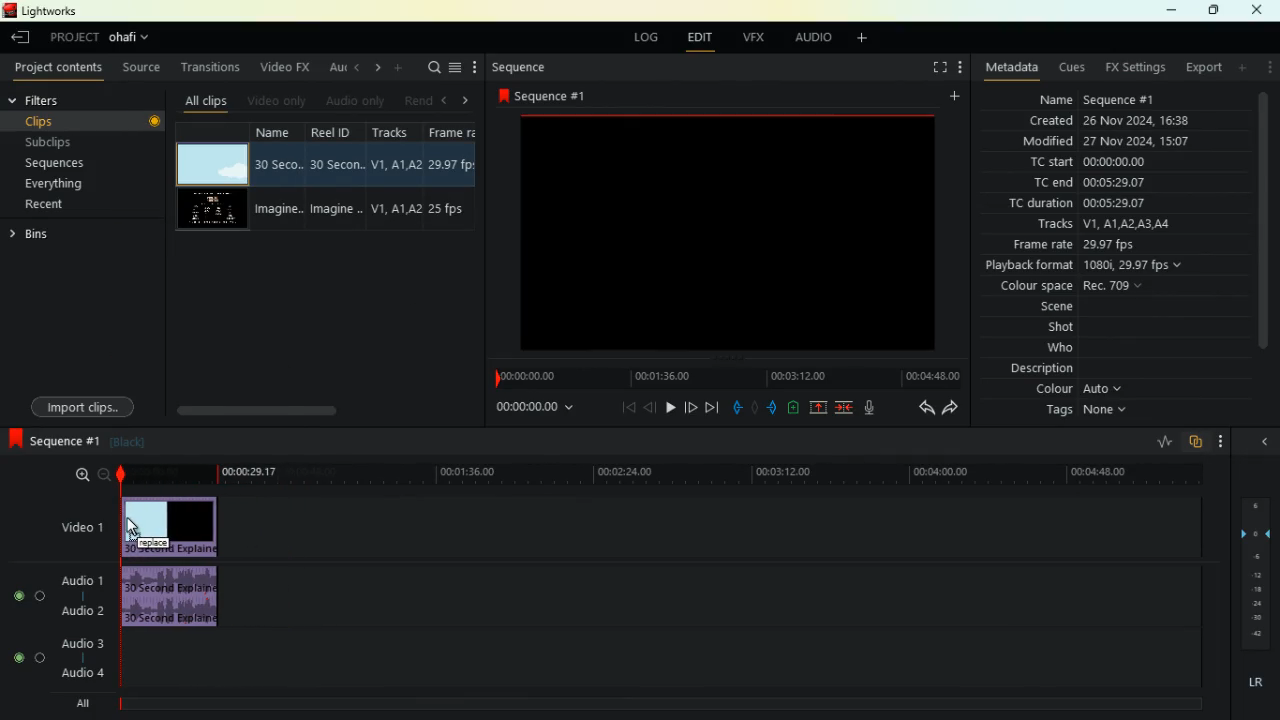  I want to click on sequences, so click(70, 161).